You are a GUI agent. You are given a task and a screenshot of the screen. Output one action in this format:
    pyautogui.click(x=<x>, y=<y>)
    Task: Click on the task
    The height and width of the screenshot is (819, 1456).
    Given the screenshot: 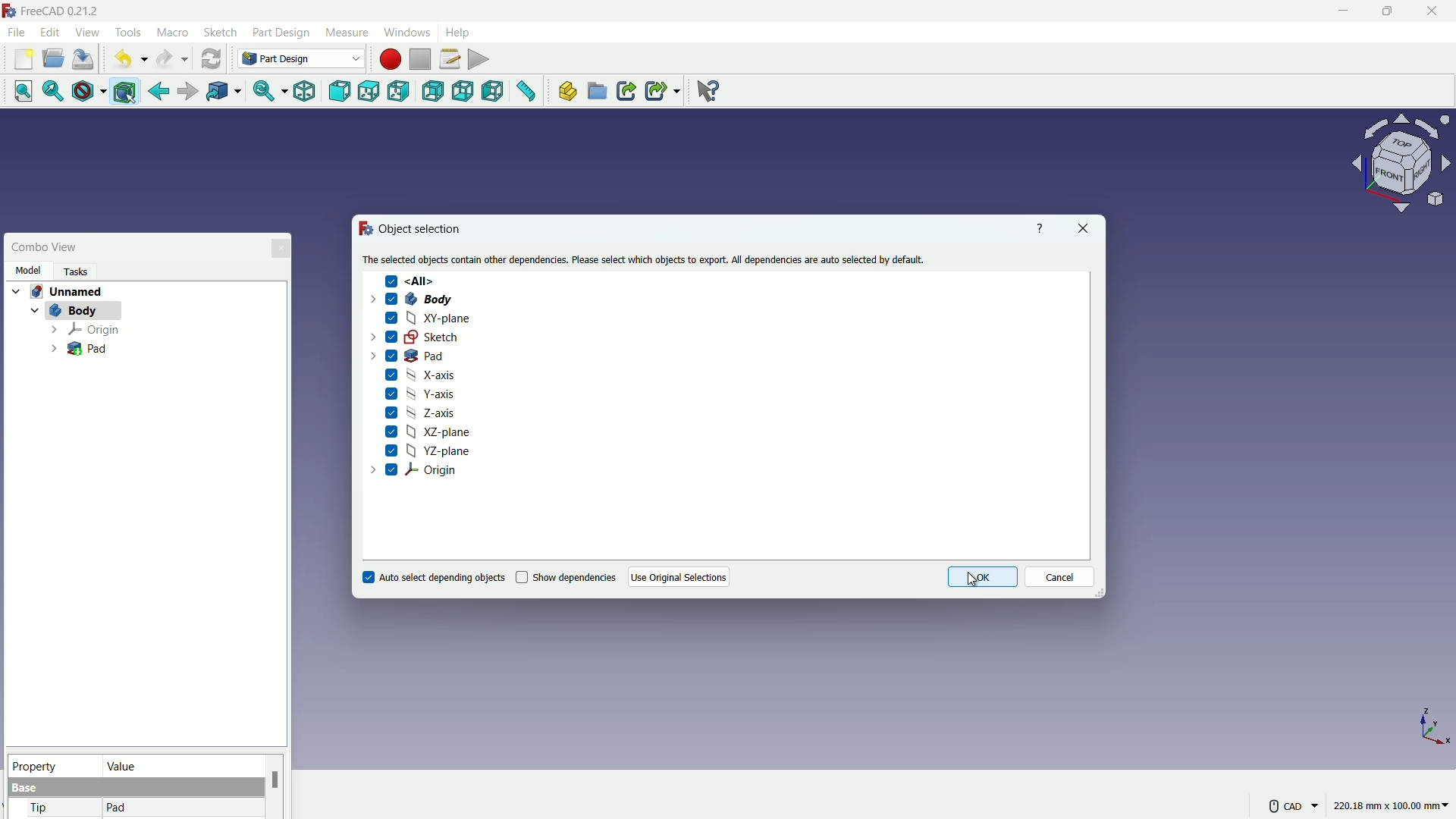 What is the action you would take?
    pyautogui.click(x=80, y=270)
    